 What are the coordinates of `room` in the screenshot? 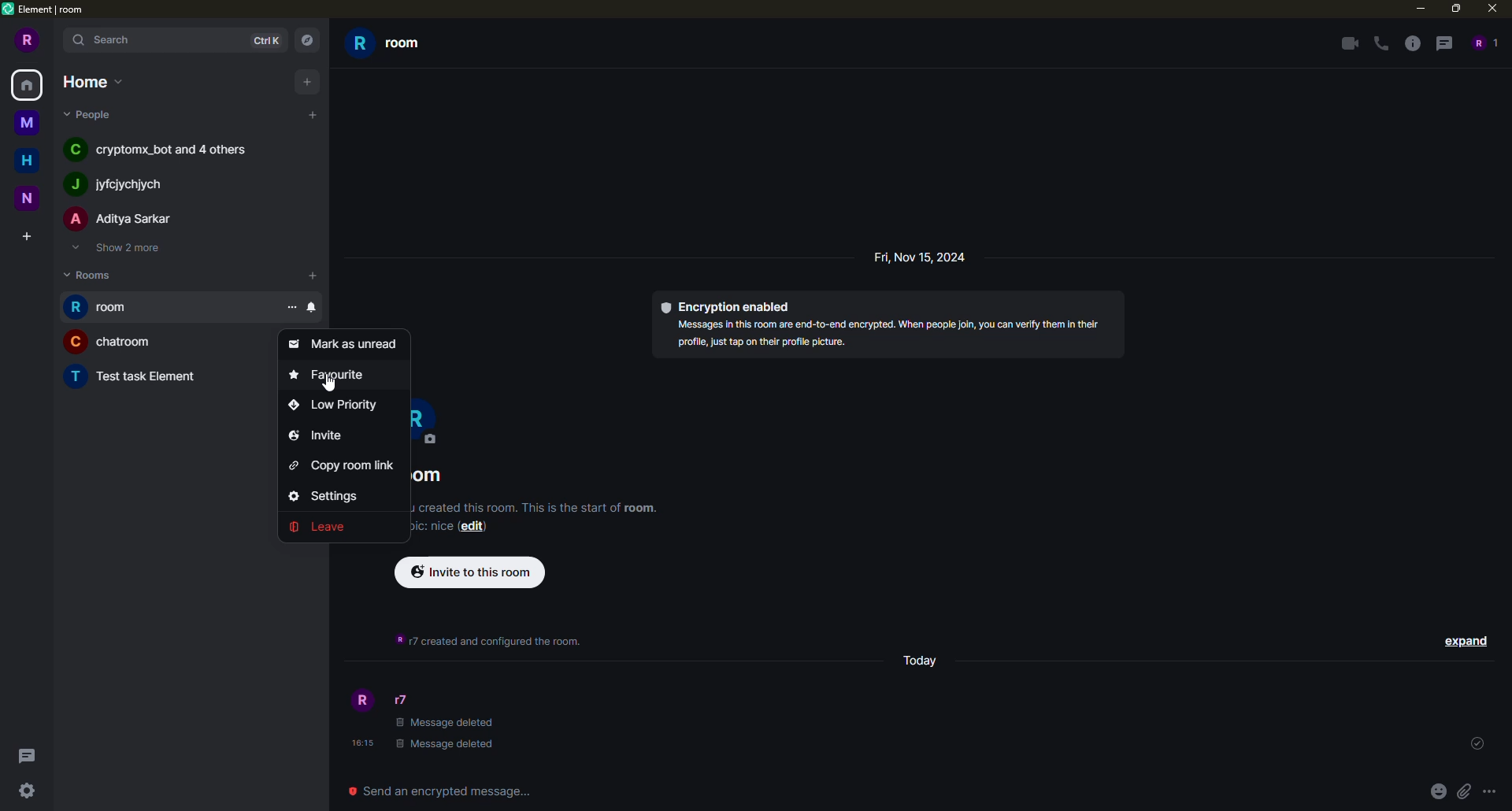 It's located at (435, 476).